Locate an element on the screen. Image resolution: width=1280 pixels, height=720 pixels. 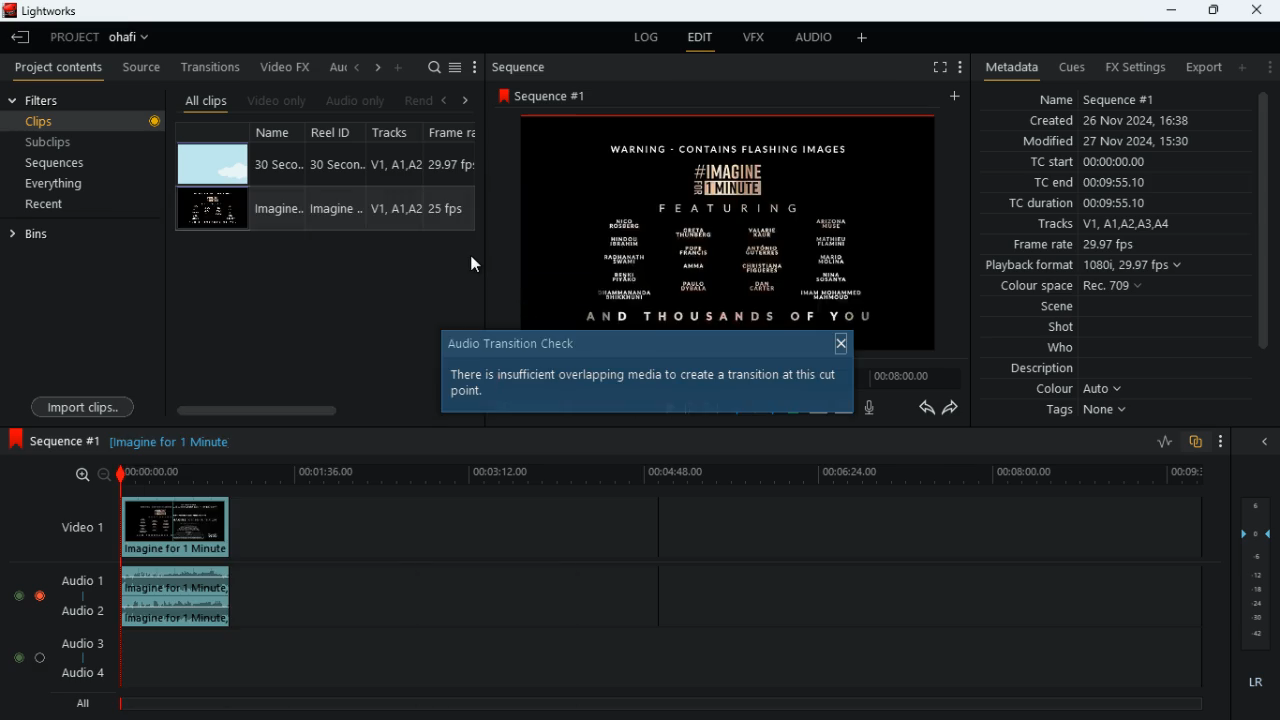
forward is located at coordinates (952, 409).